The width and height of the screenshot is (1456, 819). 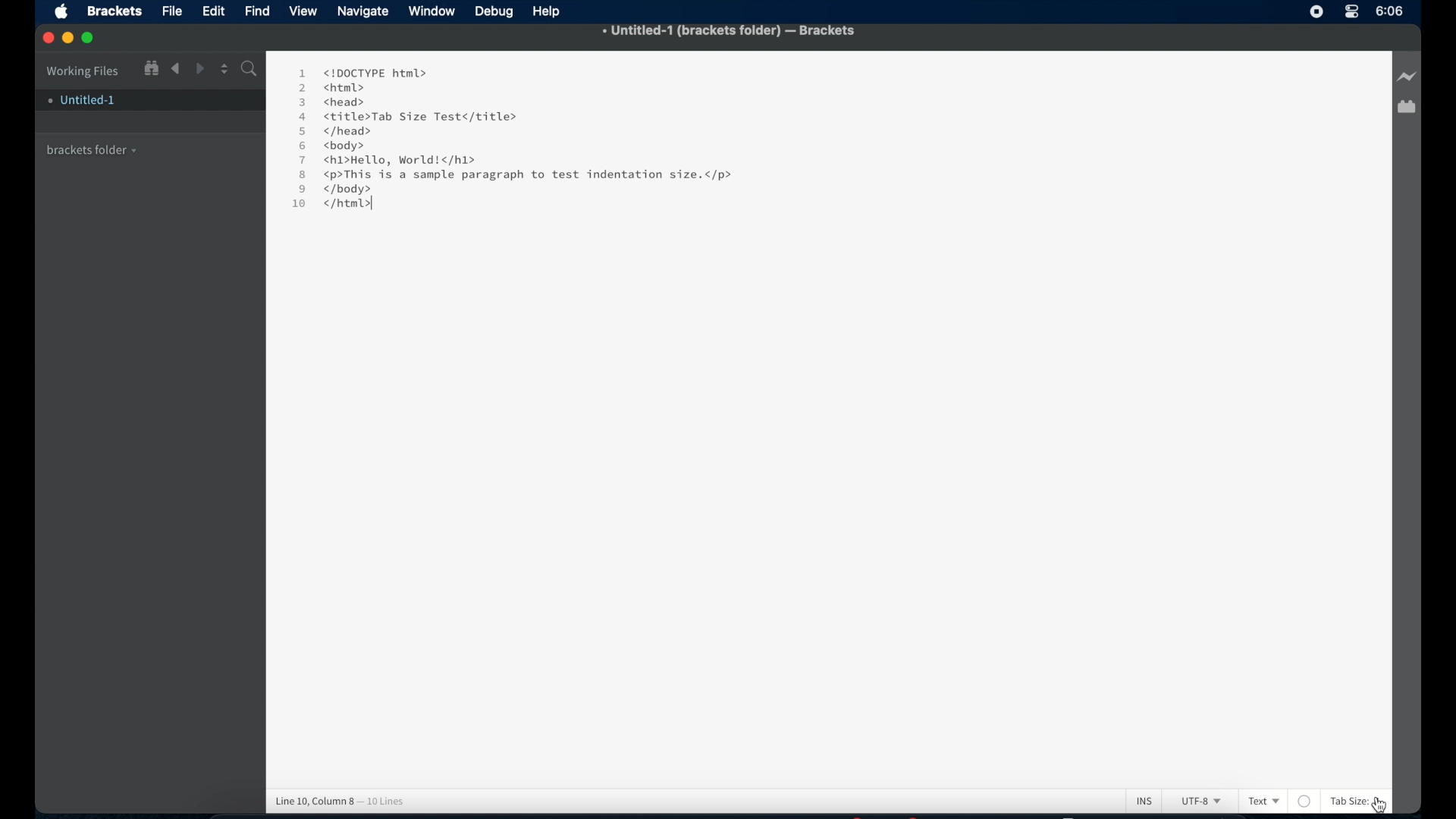 I want to click on Window, so click(x=434, y=11).